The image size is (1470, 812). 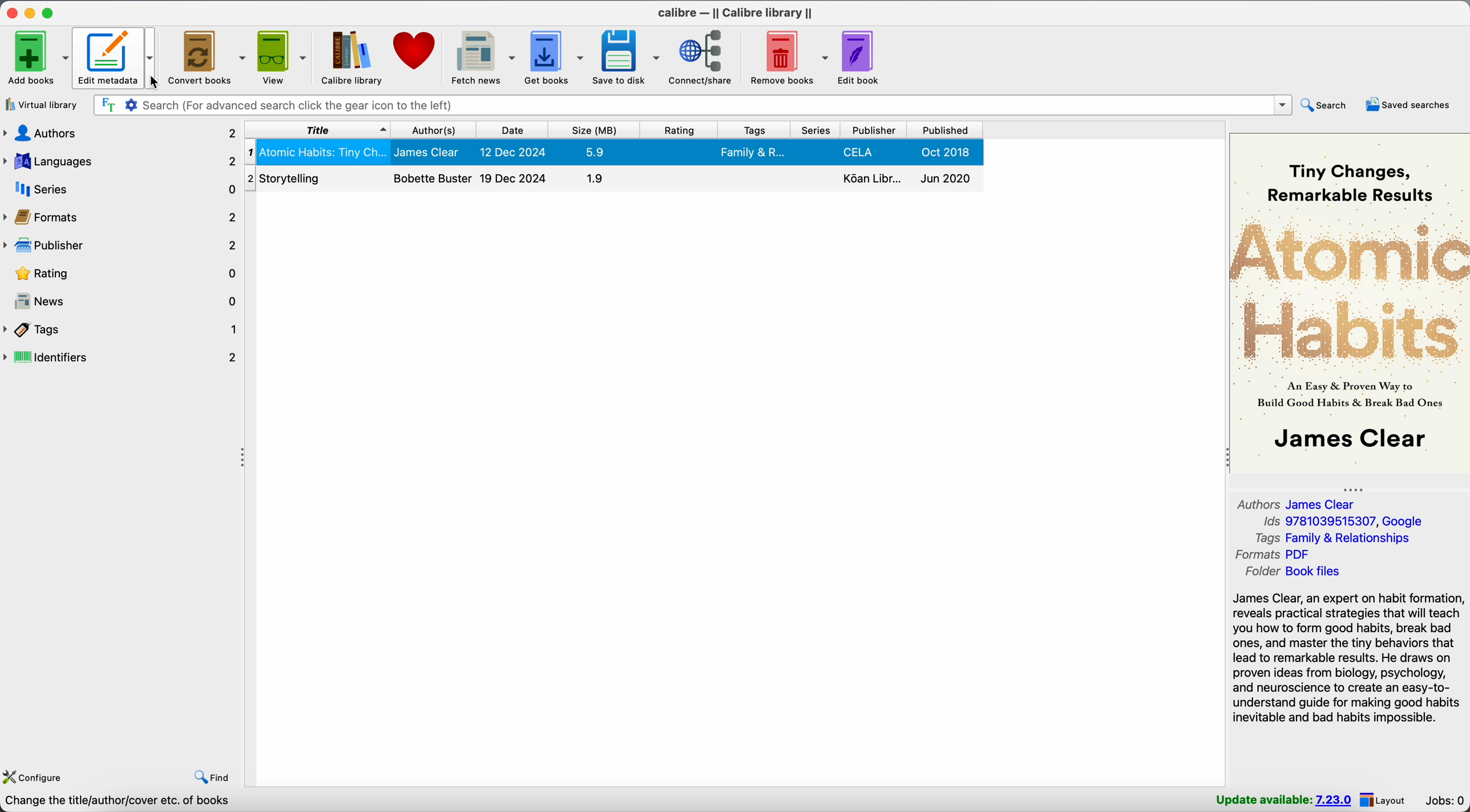 I want to click on view, so click(x=281, y=57).